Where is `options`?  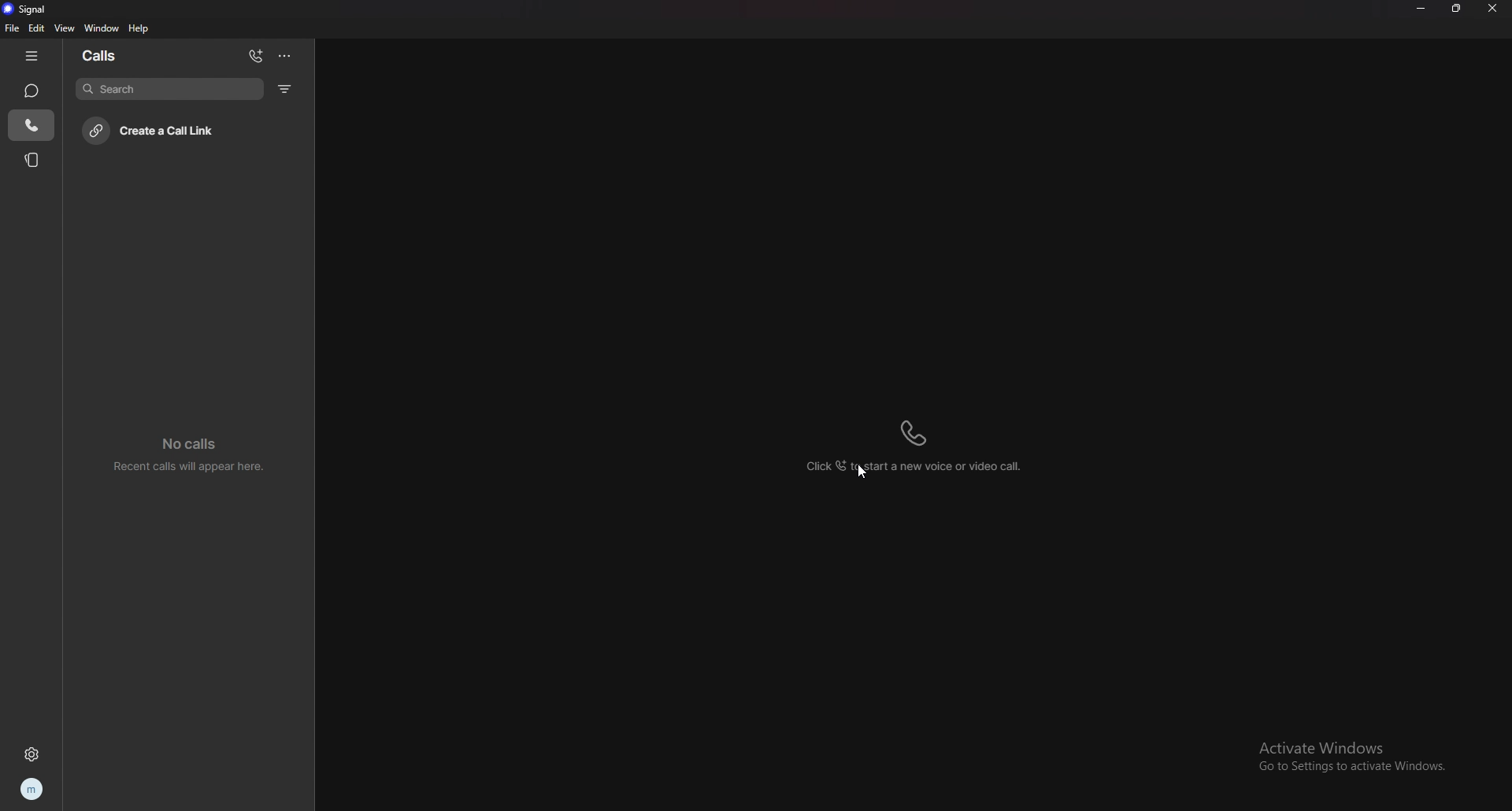
options is located at coordinates (286, 56).